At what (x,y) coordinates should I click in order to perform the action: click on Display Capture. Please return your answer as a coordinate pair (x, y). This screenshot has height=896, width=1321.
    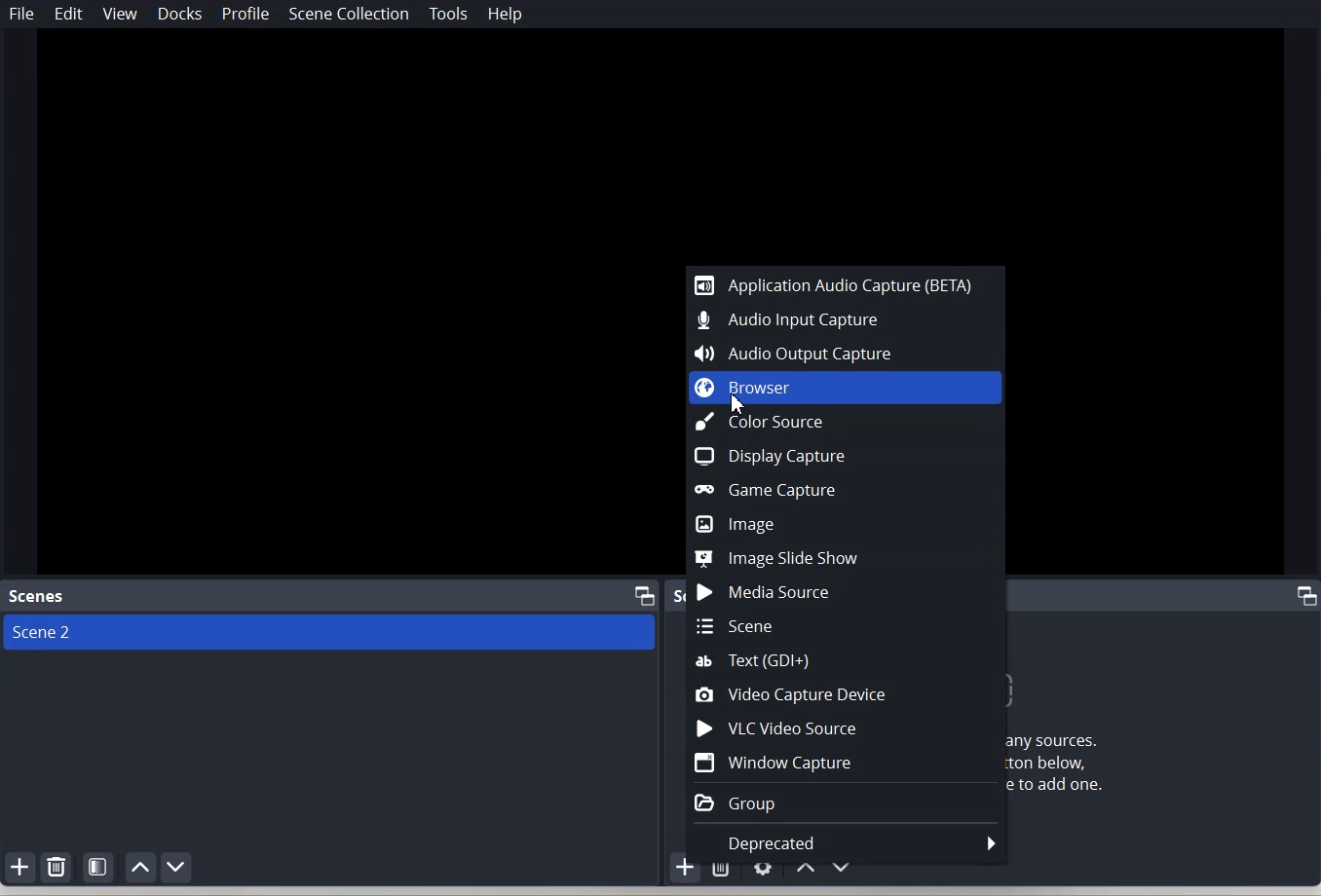
    Looking at the image, I should click on (848, 456).